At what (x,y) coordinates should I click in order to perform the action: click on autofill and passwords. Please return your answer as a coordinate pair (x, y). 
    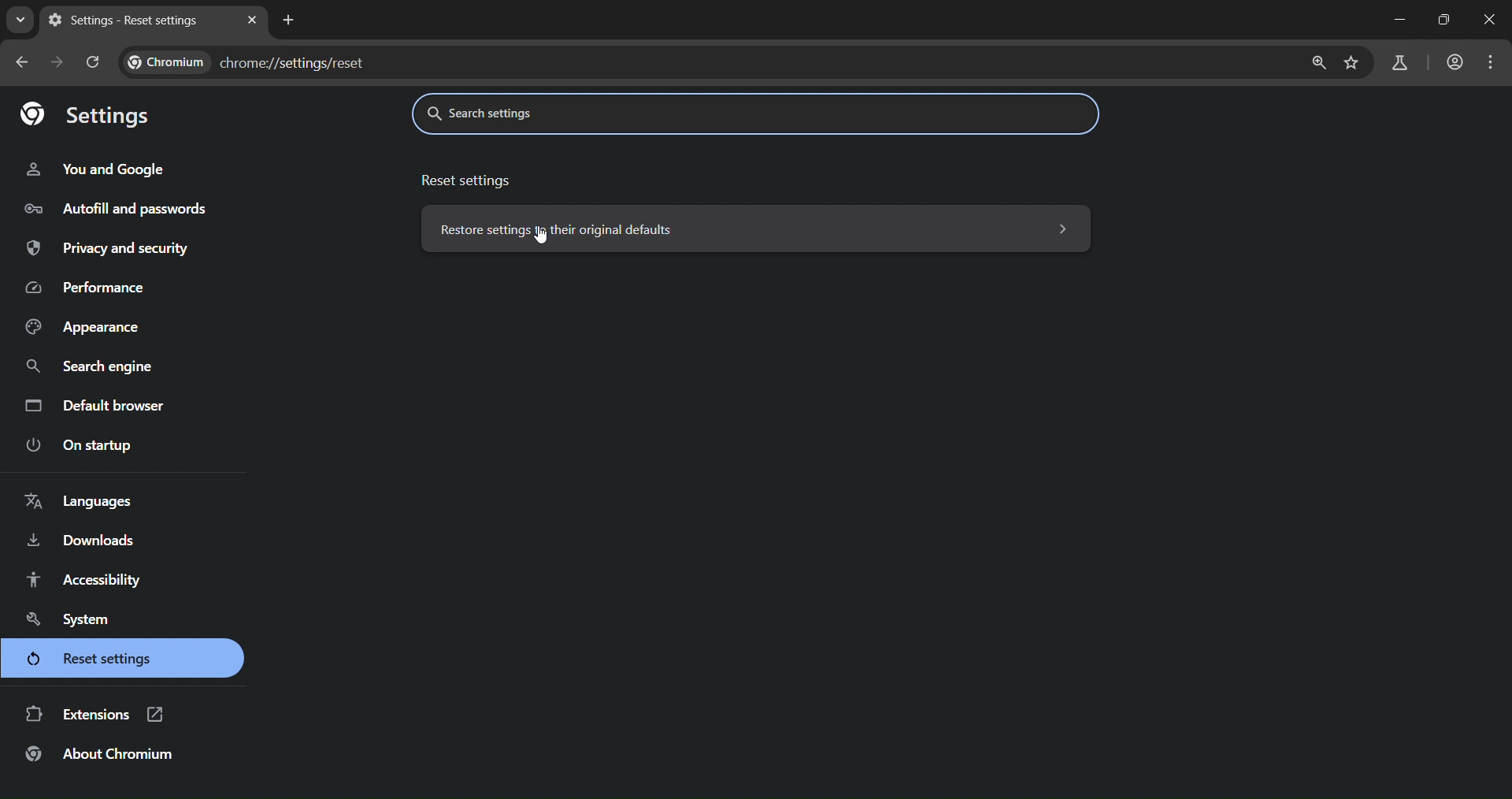
    Looking at the image, I should click on (133, 206).